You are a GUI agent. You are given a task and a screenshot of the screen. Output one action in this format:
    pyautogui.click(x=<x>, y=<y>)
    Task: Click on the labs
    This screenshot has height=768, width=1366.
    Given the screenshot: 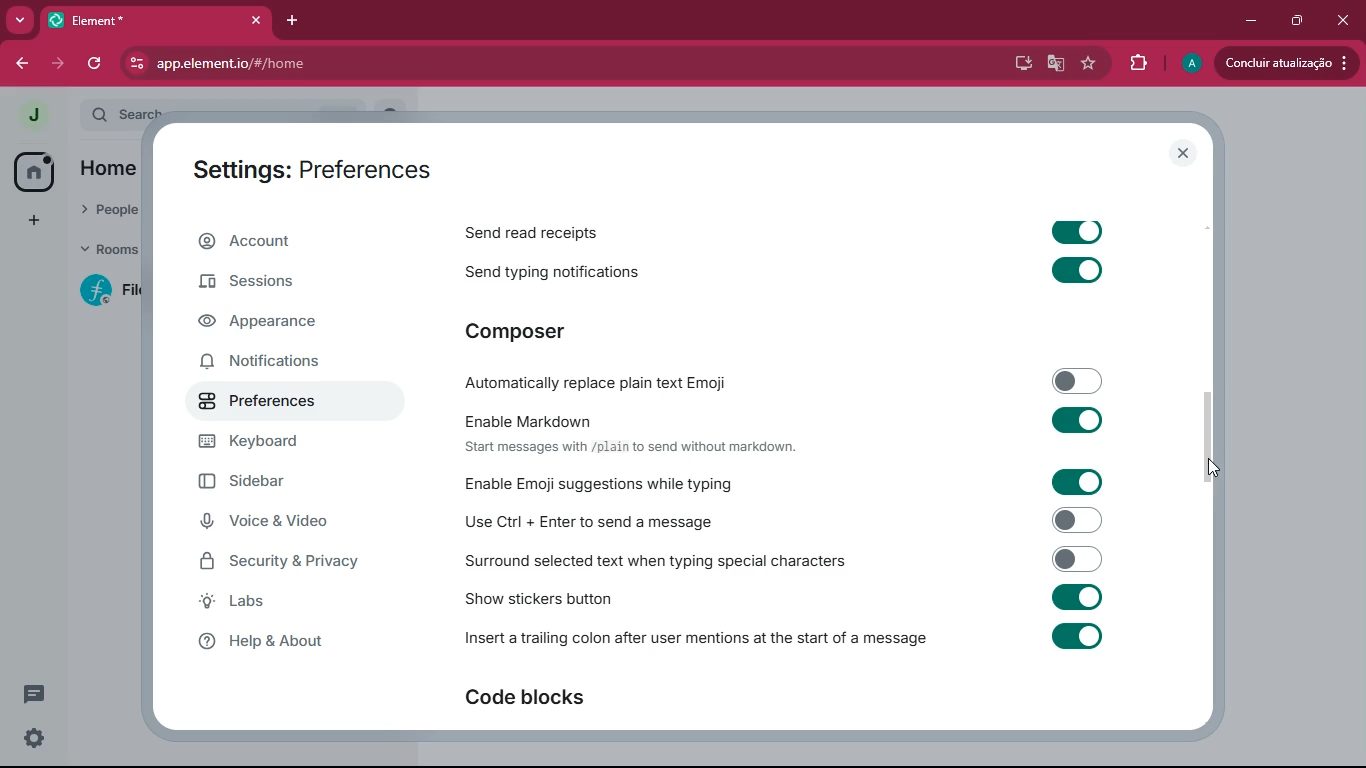 What is the action you would take?
    pyautogui.click(x=288, y=603)
    